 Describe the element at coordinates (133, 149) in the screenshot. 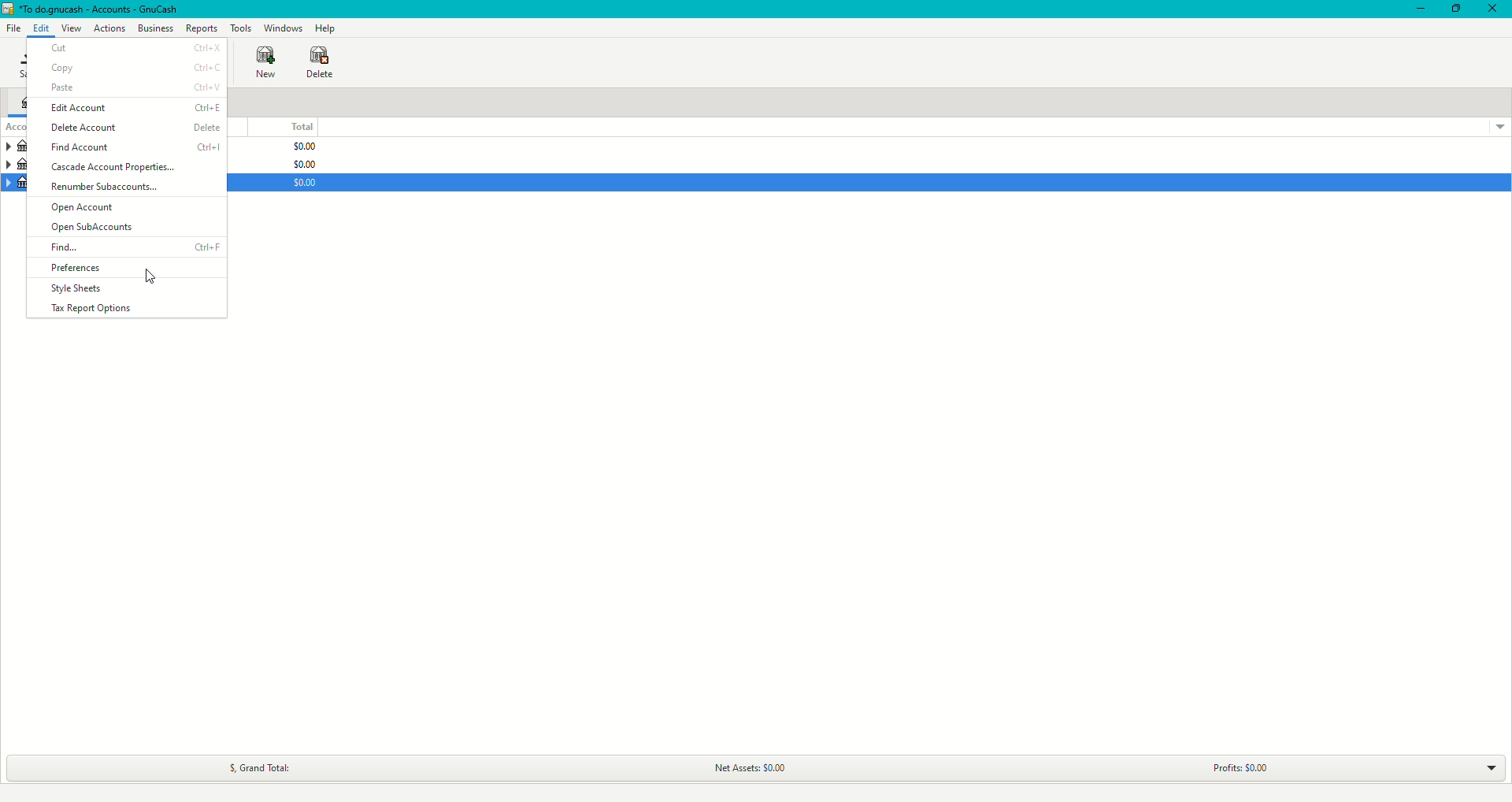

I see `Find Account` at that location.